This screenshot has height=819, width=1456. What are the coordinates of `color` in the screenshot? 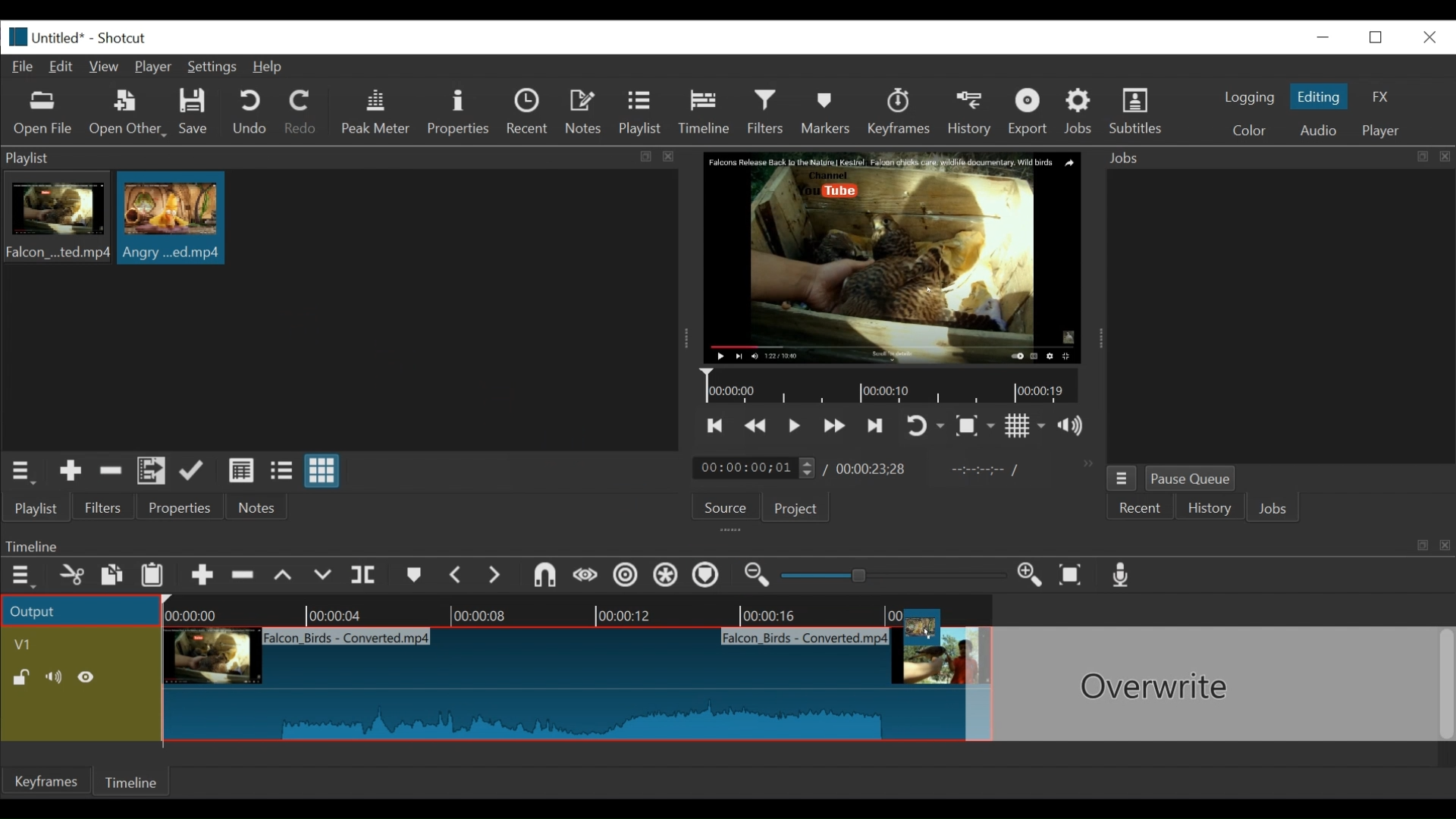 It's located at (1248, 132).